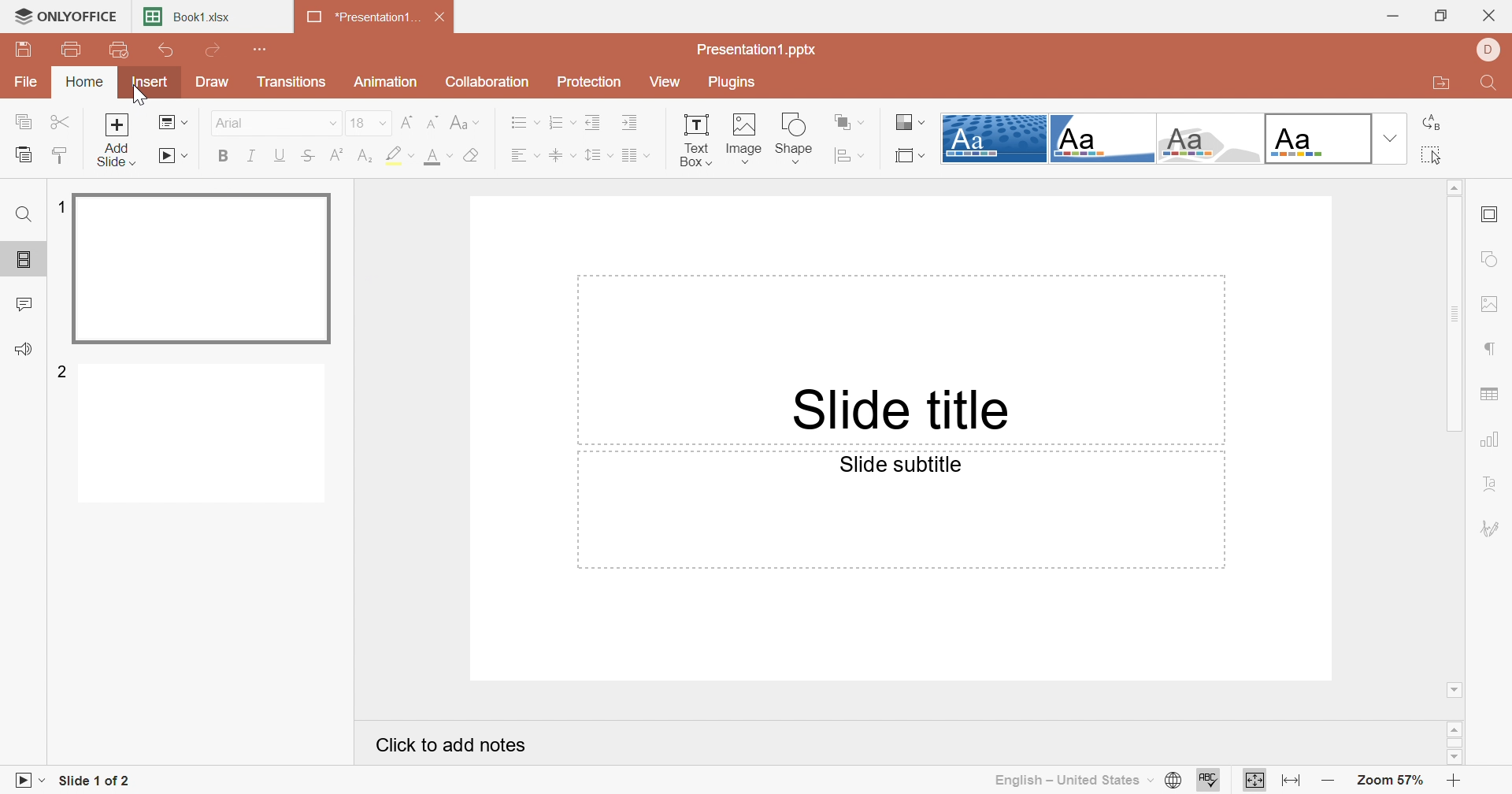 This screenshot has height=794, width=1512. What do you see at coordinates (434, 156) in the screenshot?
I see `Font color` at bounding box center [434, 156].